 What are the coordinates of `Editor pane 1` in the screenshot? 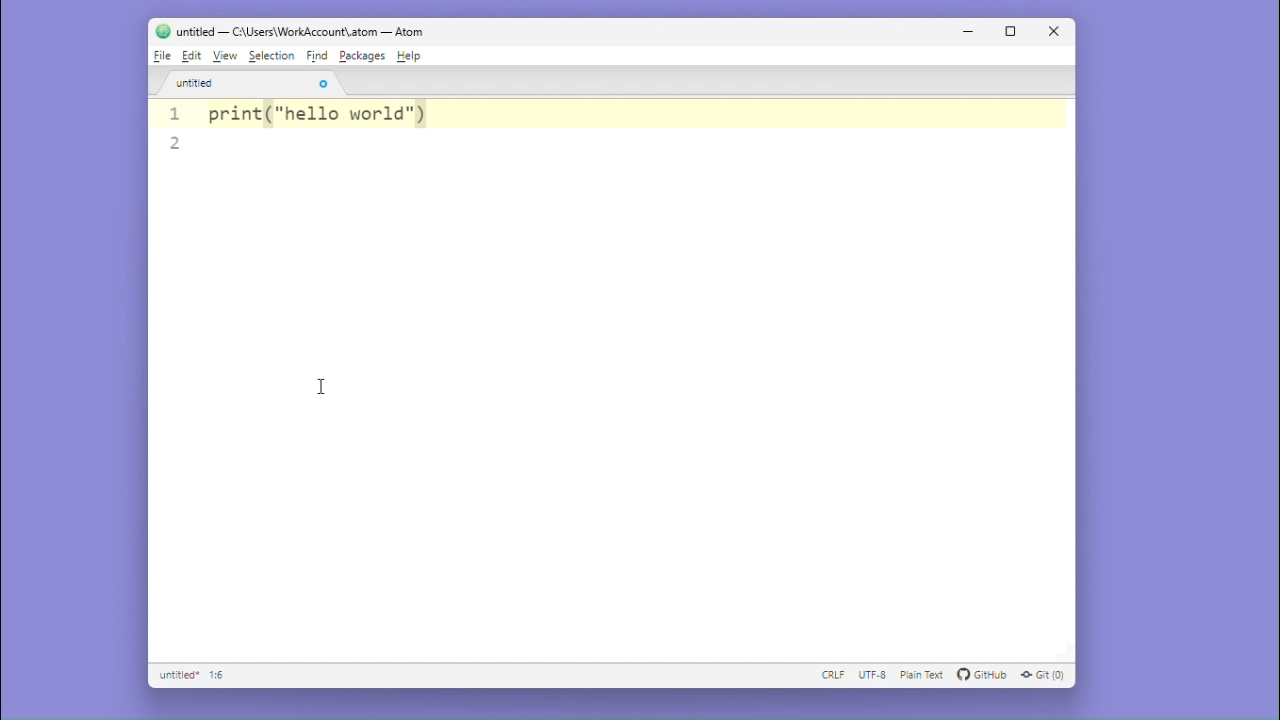 It's located at (612, 261).